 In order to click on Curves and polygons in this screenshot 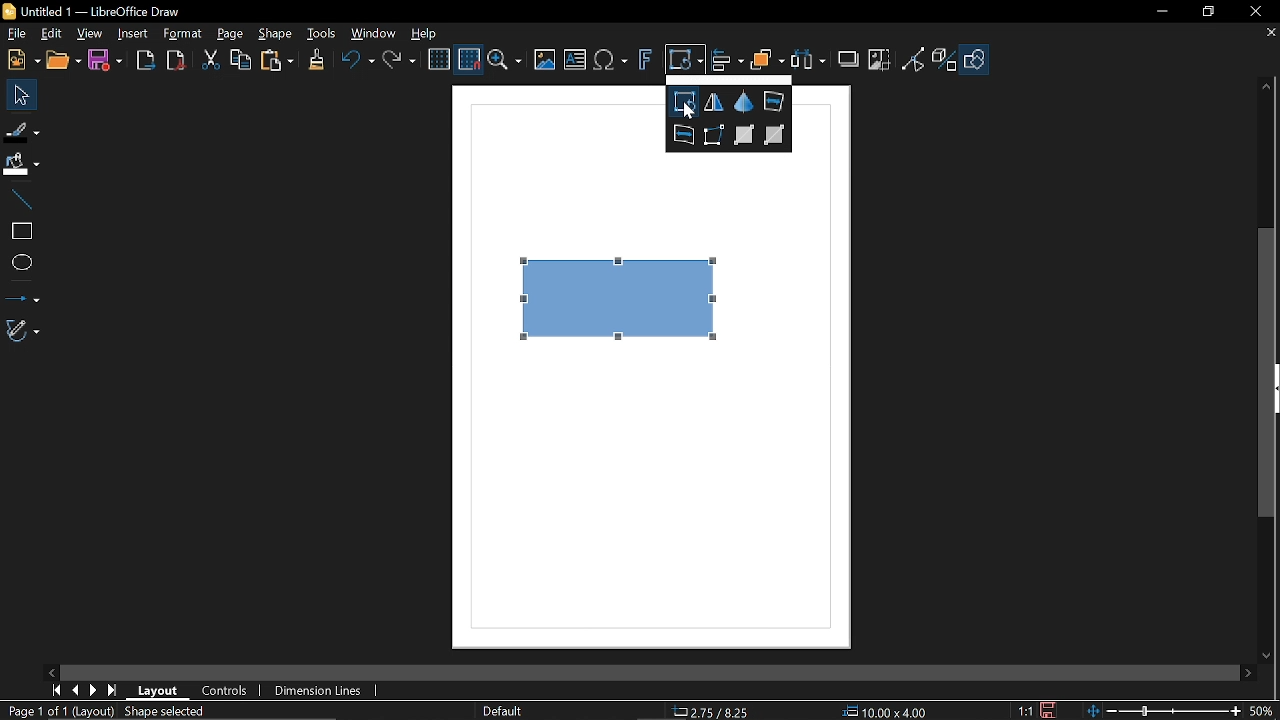, I will do `click(23, 330)`.